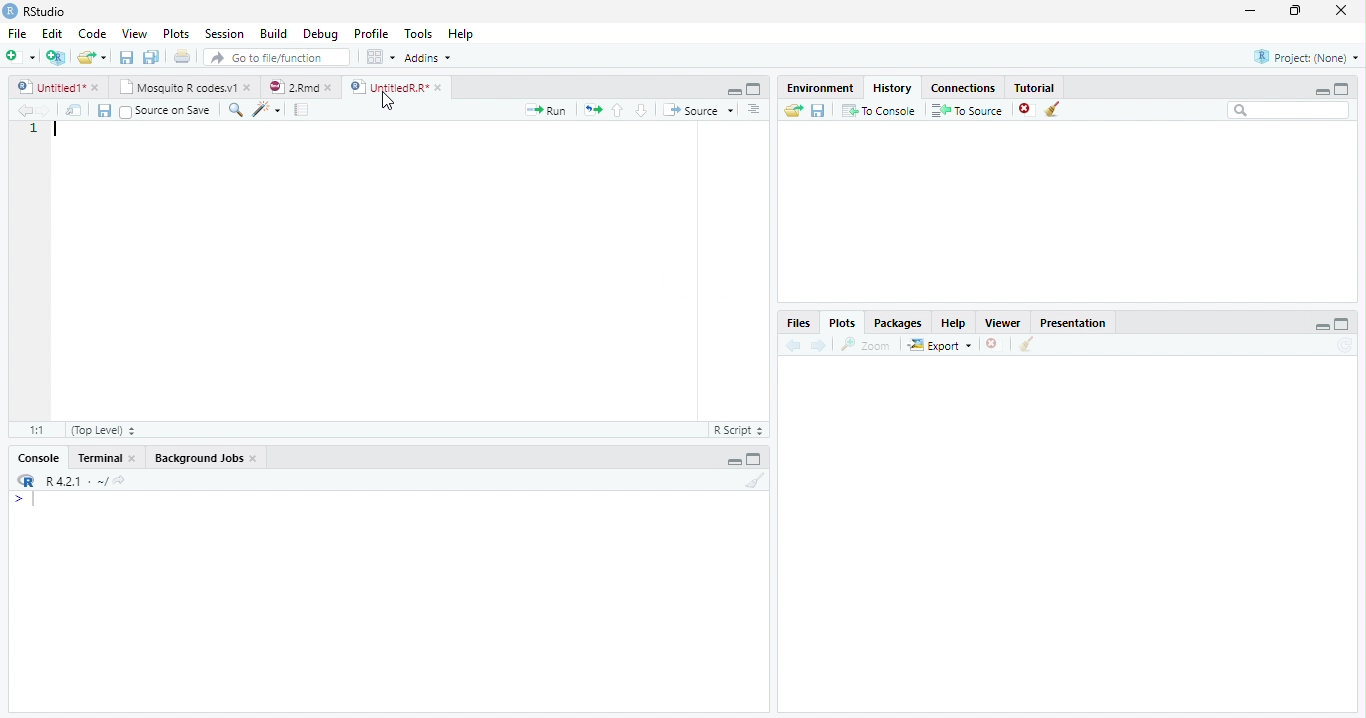  What do you see at coordinates (121, 480) in the screenshot?
I see `View the current working directory` at bounding box center [121, 480].